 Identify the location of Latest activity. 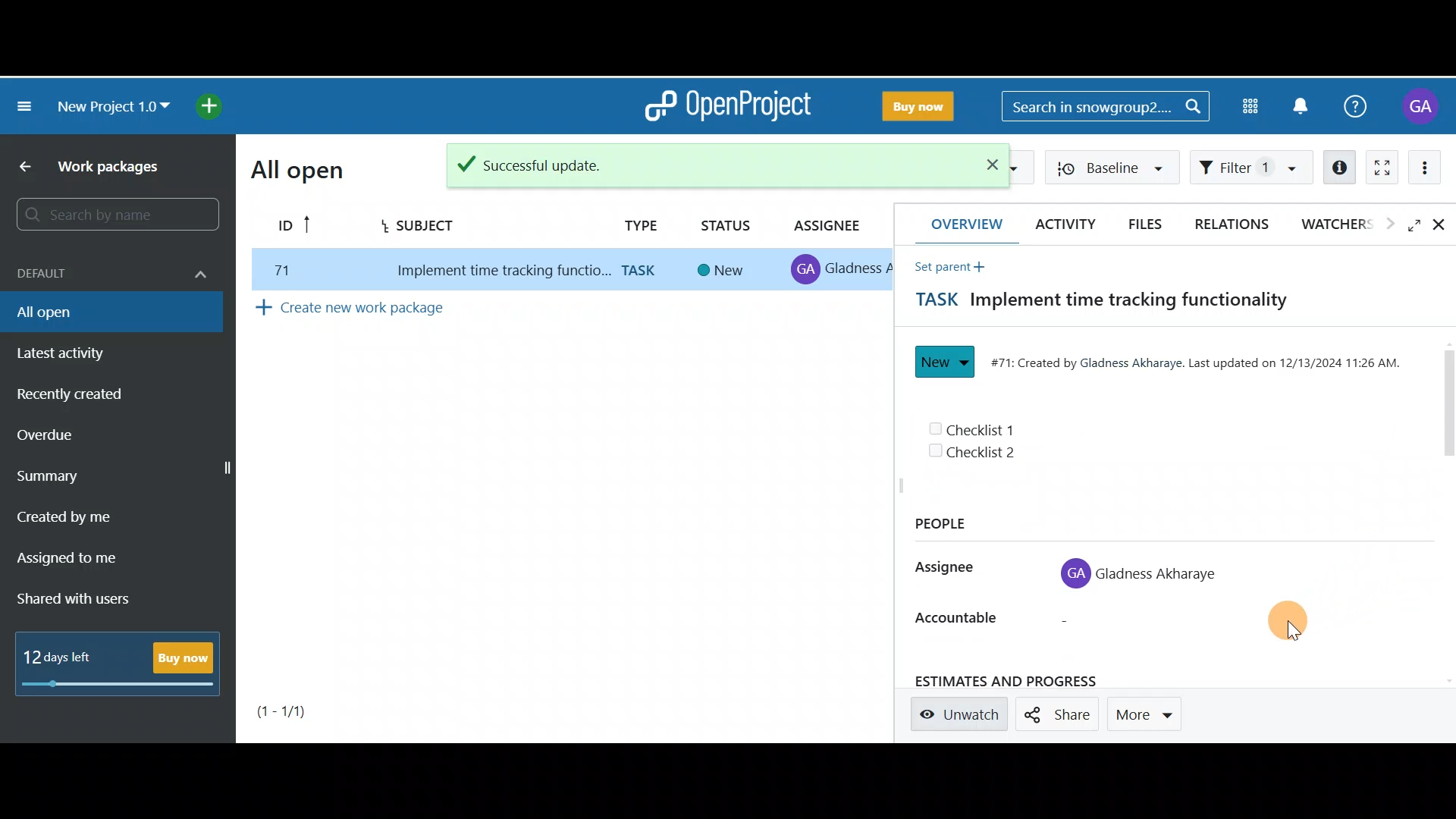
(74, 352).